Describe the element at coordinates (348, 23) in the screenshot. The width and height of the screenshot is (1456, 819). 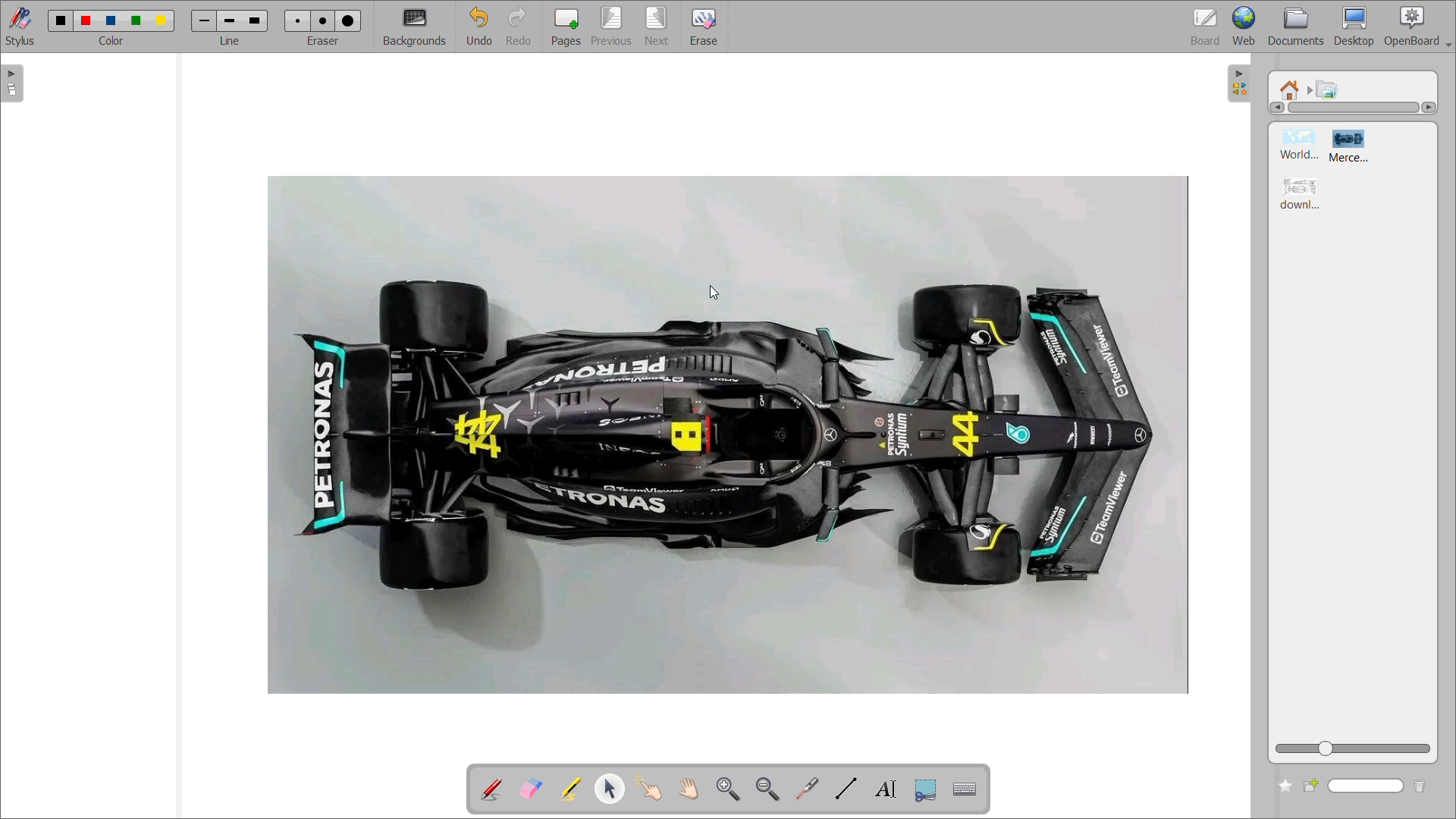
I see `eraser 3` at that location.